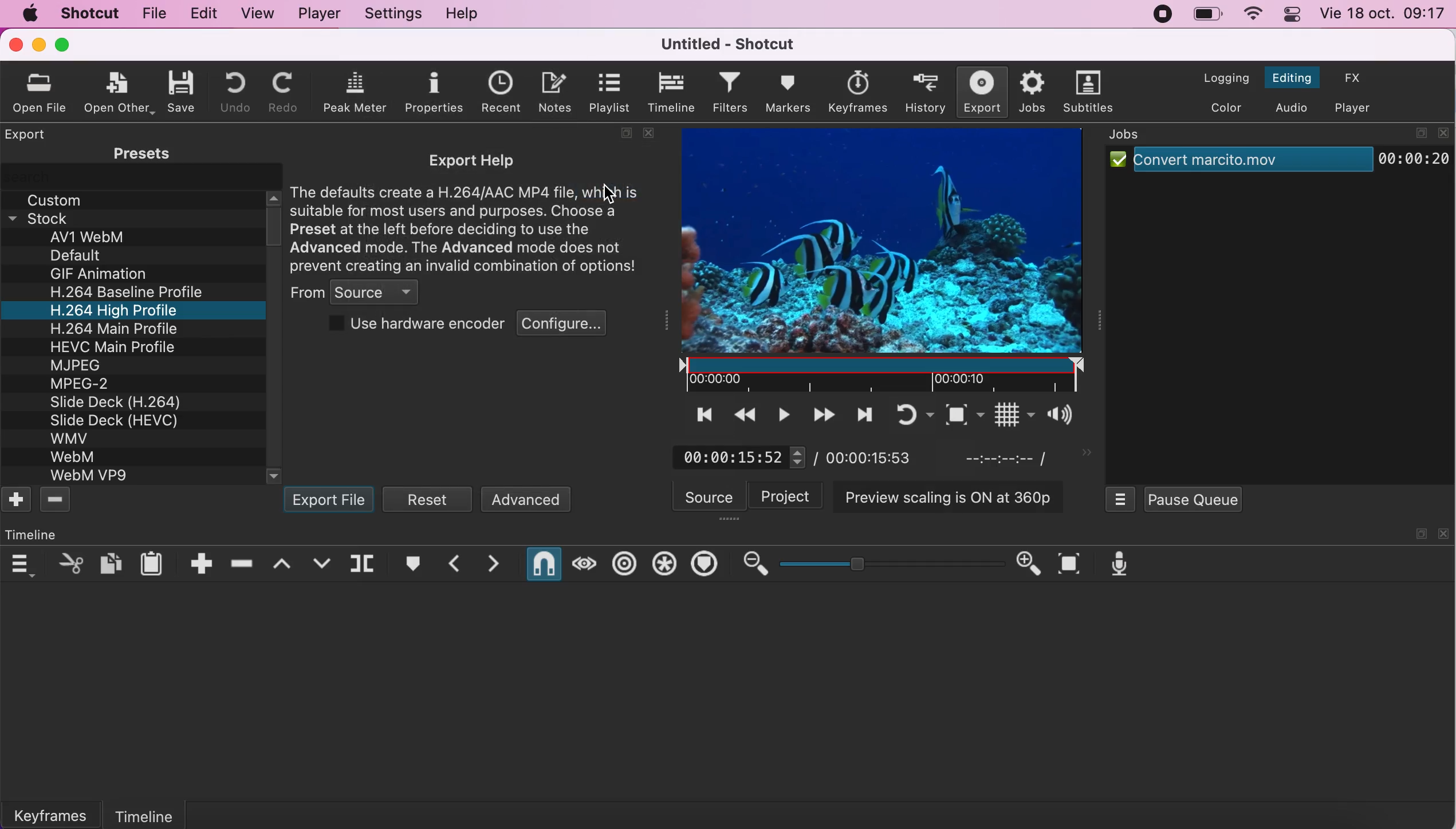  Describe the element at coordinates (40, 44) in the screenshot. I see `minimize` at that location.